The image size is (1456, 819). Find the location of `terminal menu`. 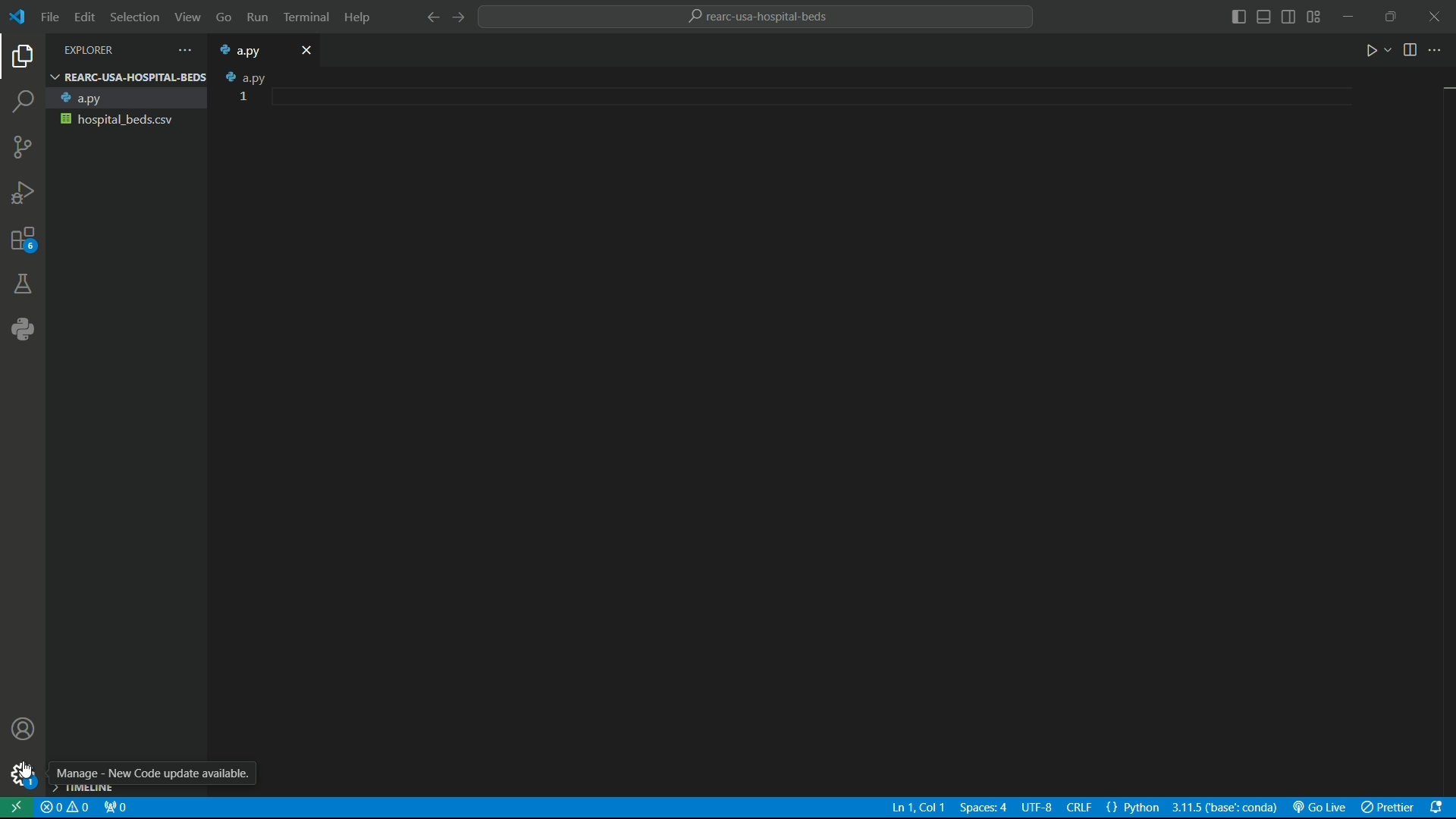

terminal menu is located at coordinates (307, 18).